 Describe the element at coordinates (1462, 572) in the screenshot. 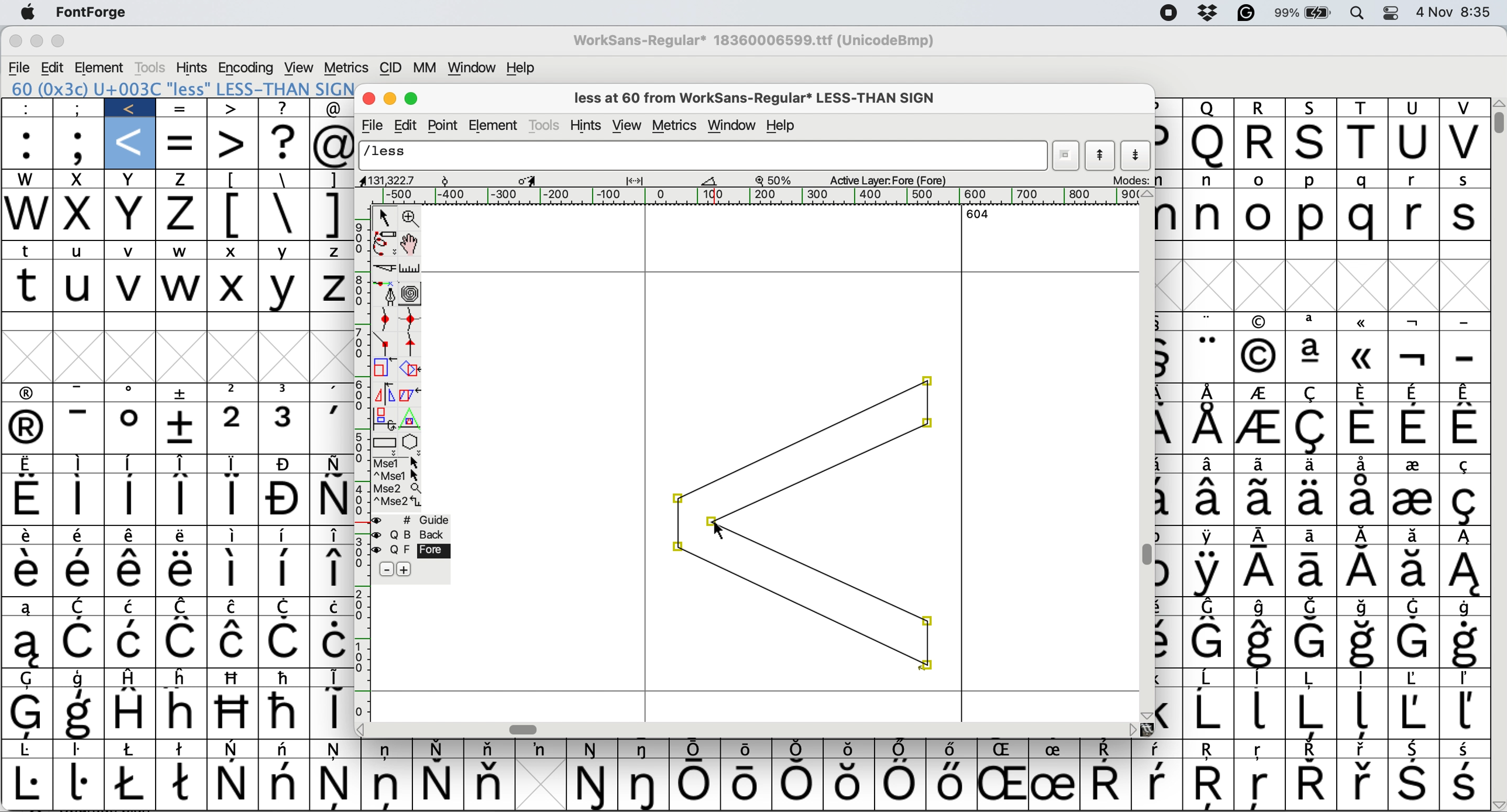

I see `Symbol` at that location.